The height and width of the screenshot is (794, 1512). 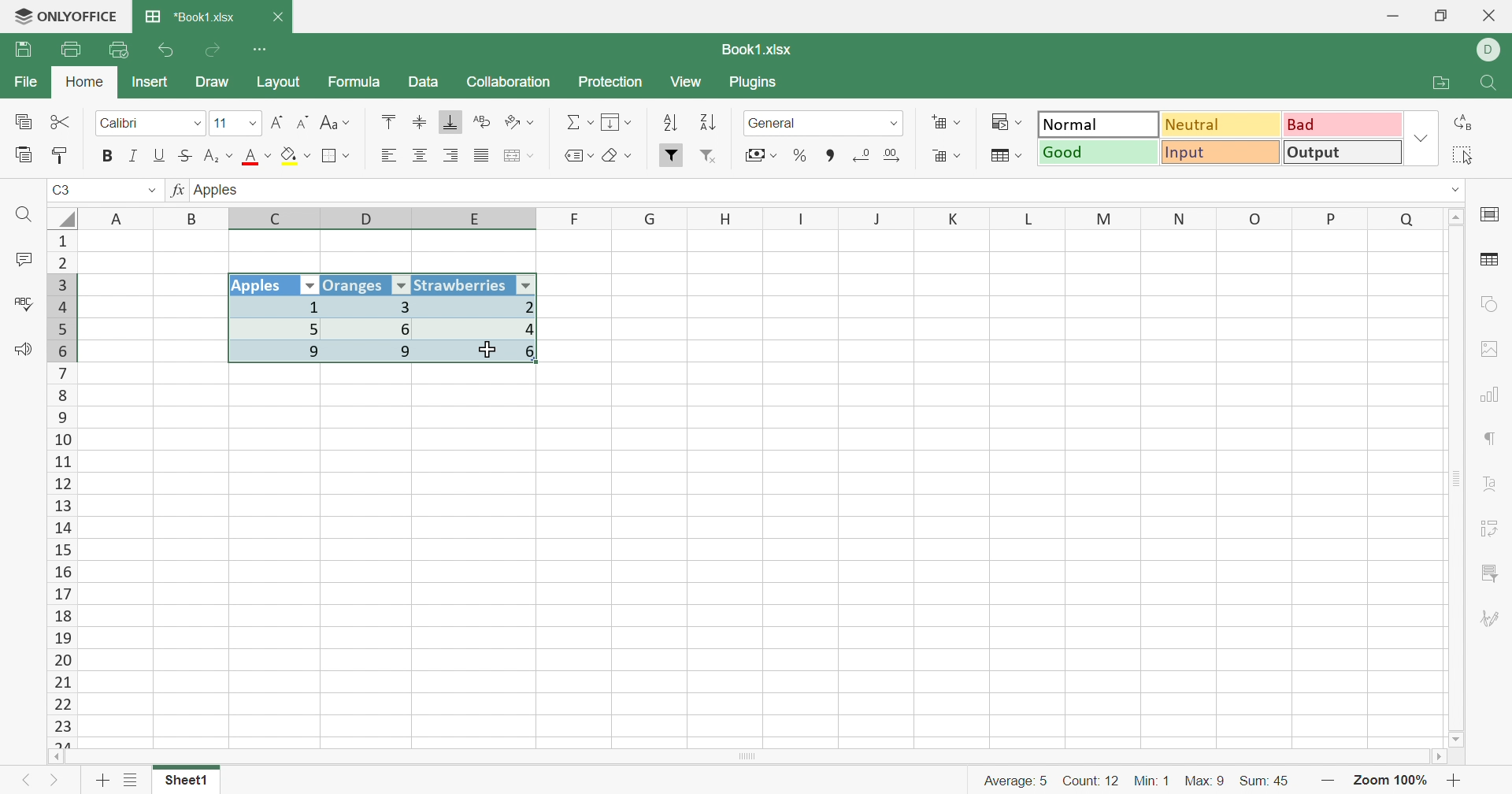 What do you see at coordinates (65, 17) in the screenshot?
I see `ONLYOFFICE` at bounding box center [65, 17].